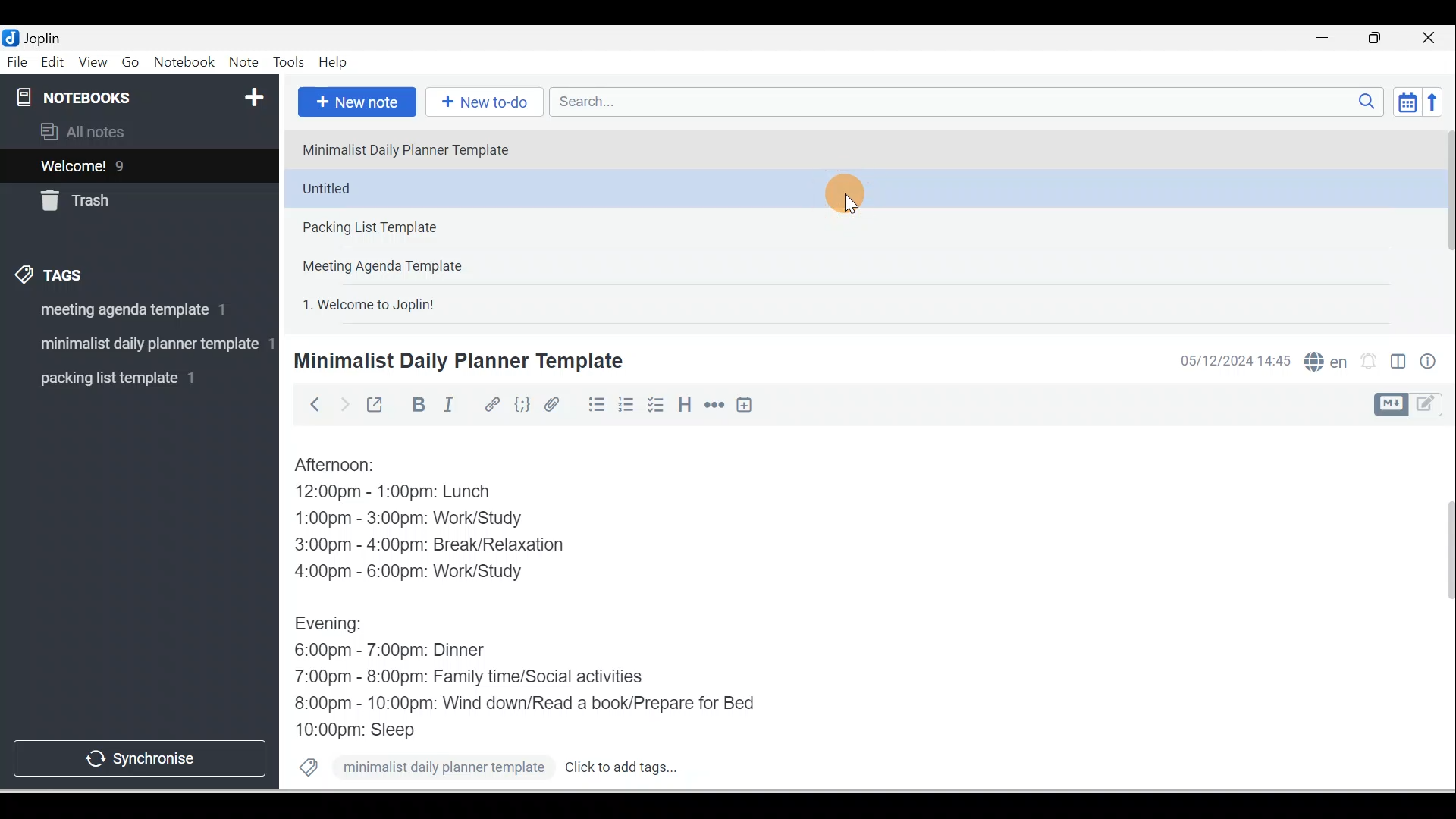 This screenshot has width=1456, height=819. What do you see at coordinates (137, 131) in the screenshot?
I see `All notes` at bounding box center [137, 131].